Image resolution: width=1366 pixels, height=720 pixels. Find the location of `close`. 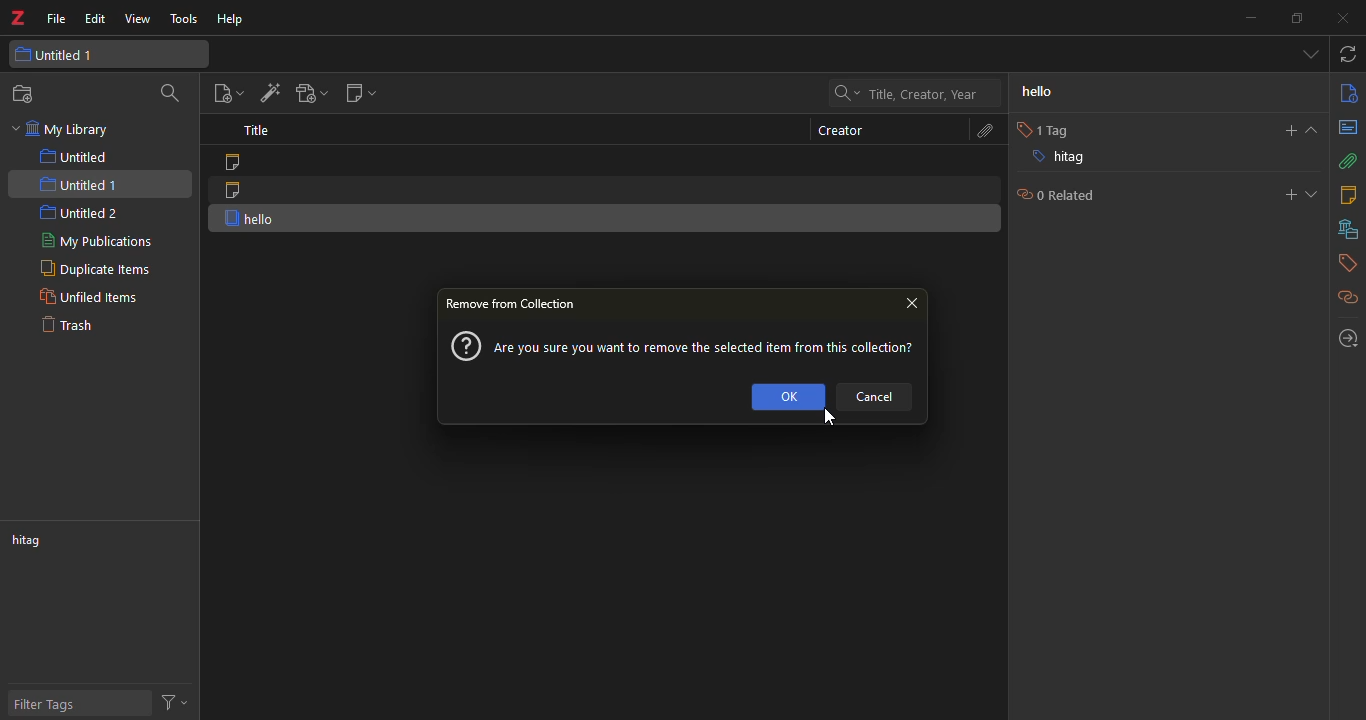

close is located at coordinates (1338, 16).